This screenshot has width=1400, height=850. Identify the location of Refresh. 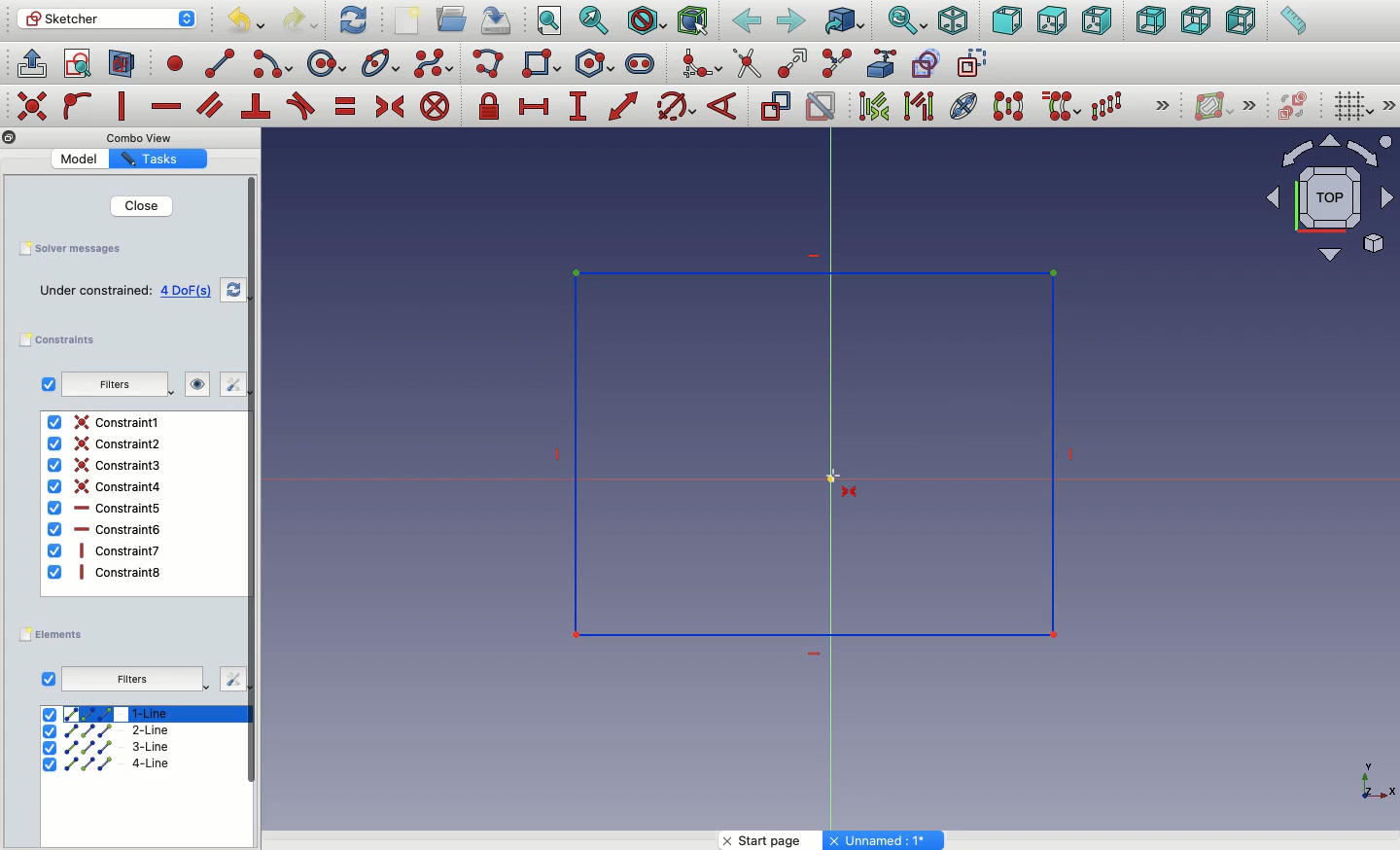
(353, 18).